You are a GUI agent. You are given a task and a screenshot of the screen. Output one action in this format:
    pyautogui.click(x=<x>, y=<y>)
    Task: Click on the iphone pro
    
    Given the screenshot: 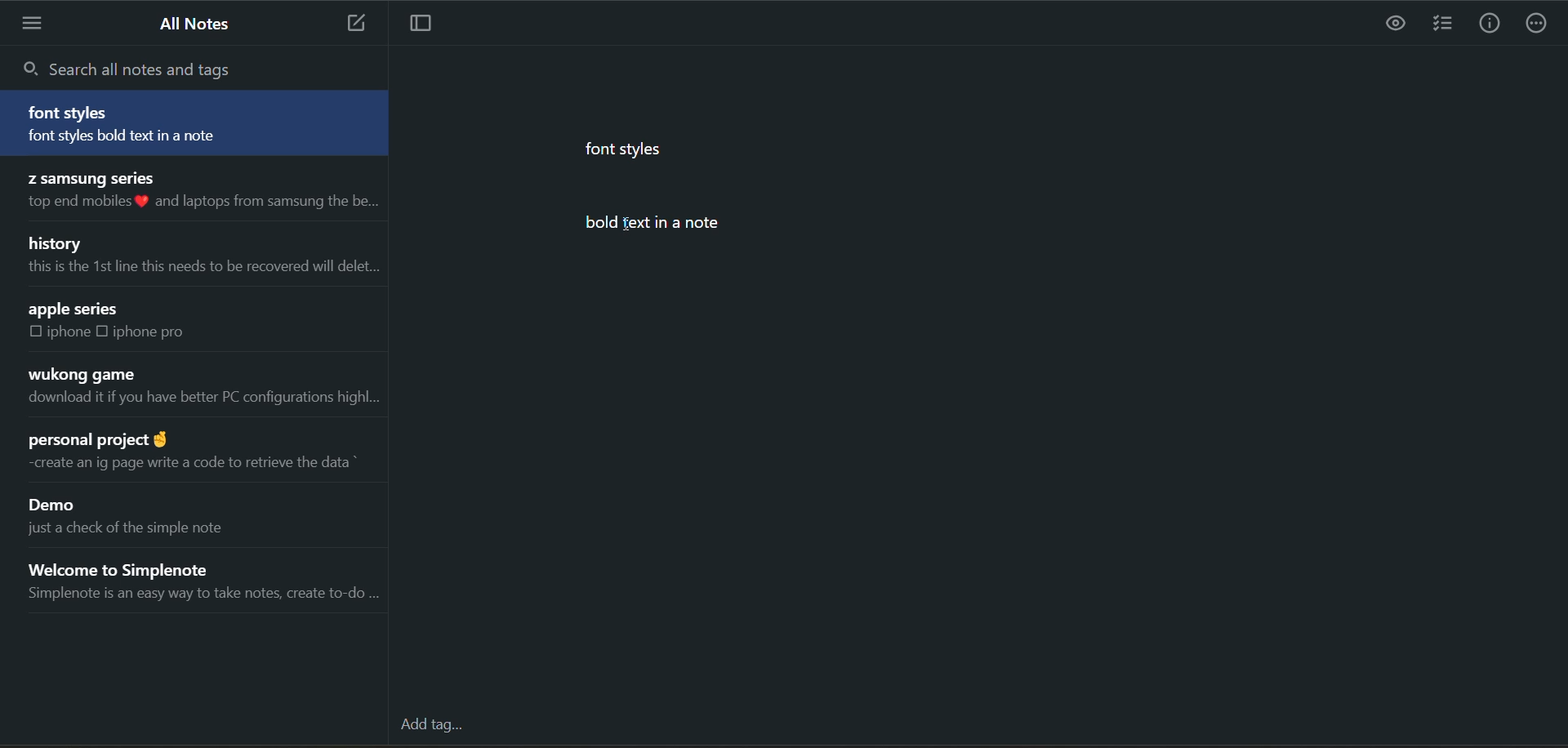 What is the action you would take?
    pyautogui.click(x=150, y=332)
    